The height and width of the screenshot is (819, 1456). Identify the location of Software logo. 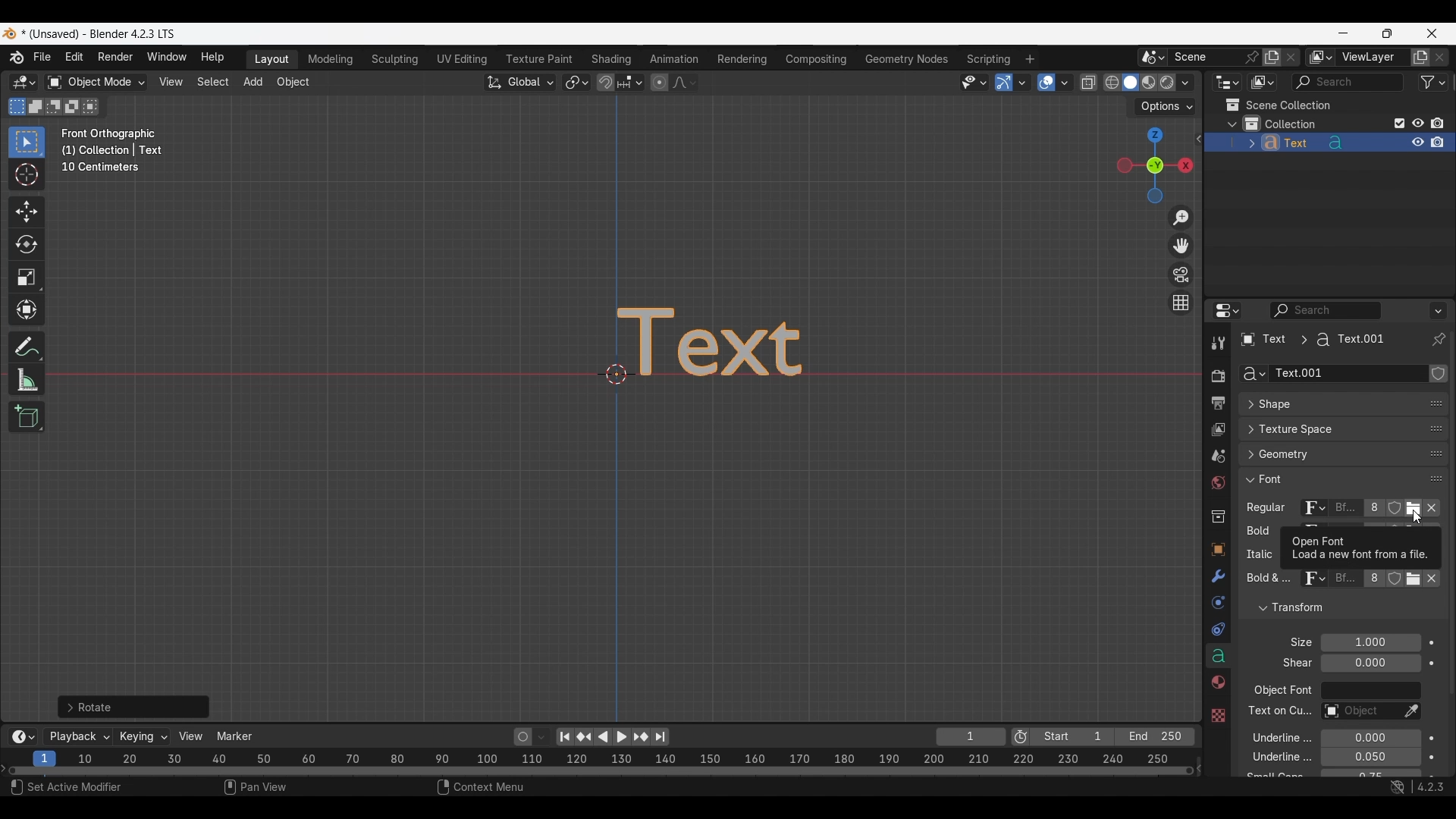
(9, 33).